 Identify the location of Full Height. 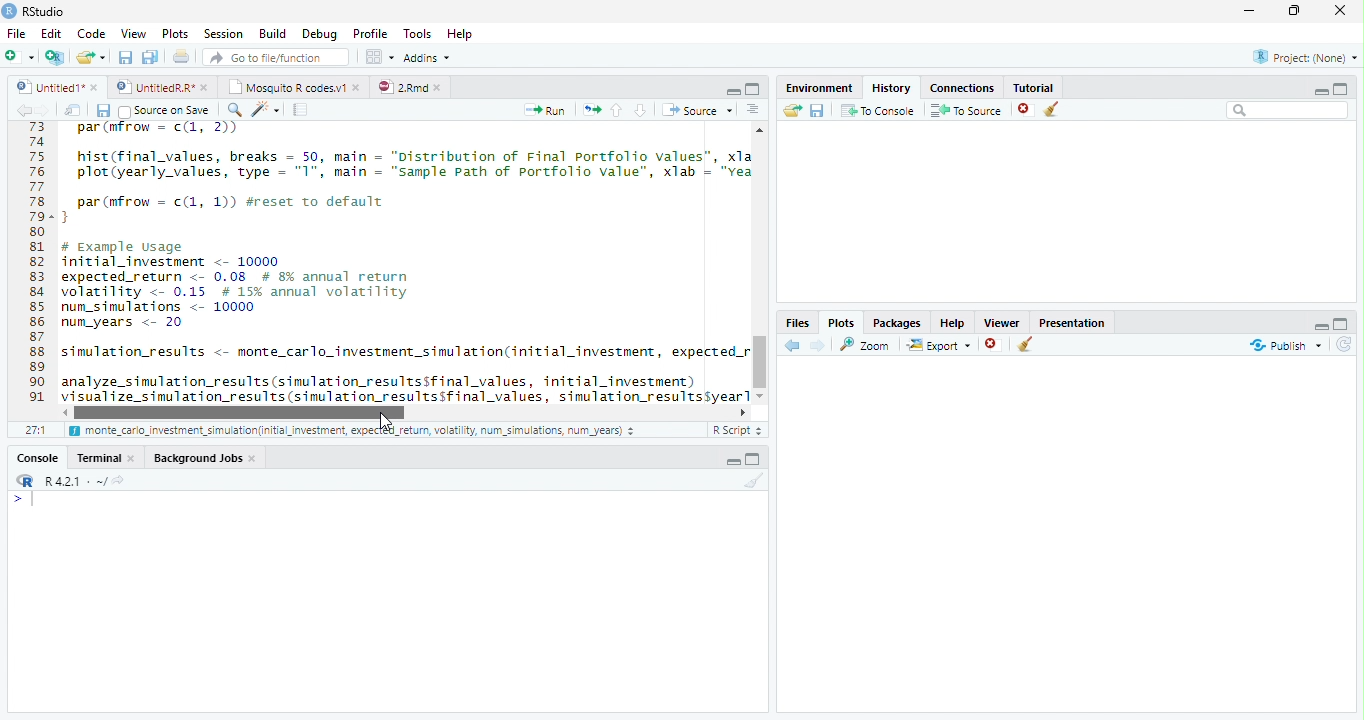
(1342, 87).